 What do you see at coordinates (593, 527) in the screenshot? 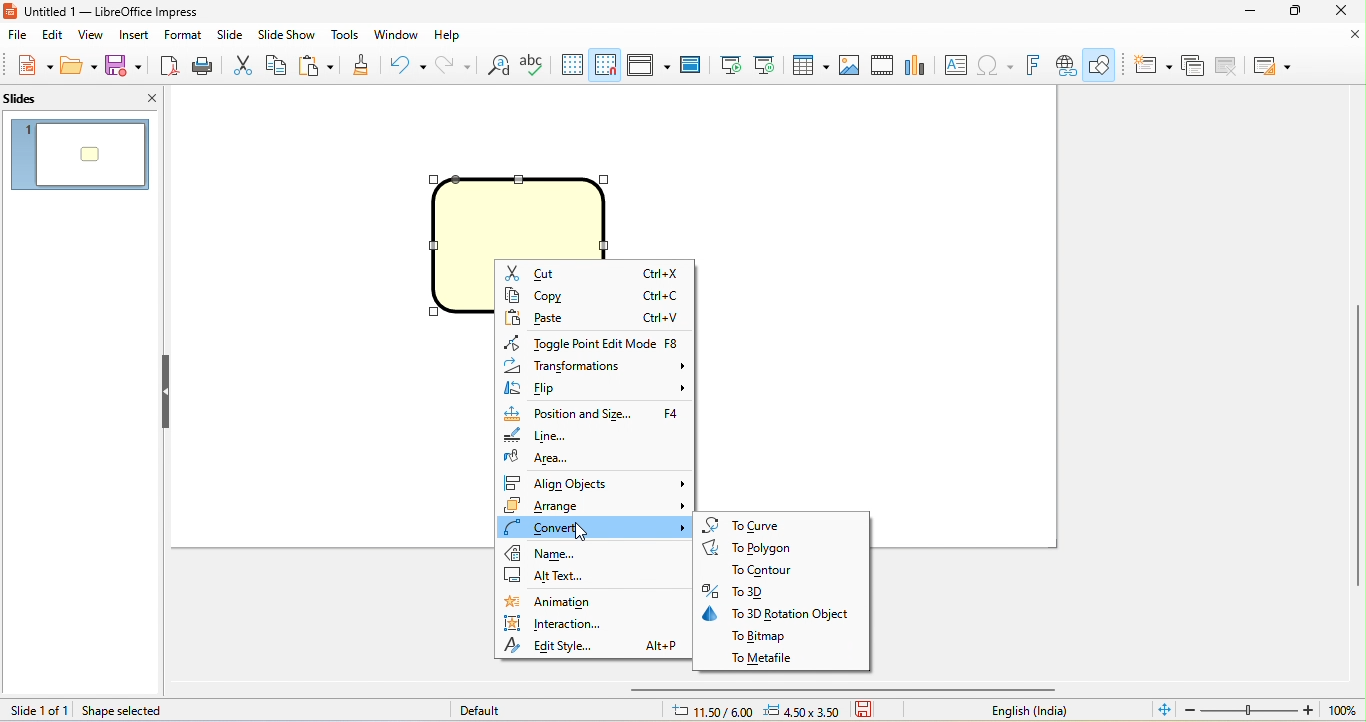
I see `convert` at bounding box center [593, 527].